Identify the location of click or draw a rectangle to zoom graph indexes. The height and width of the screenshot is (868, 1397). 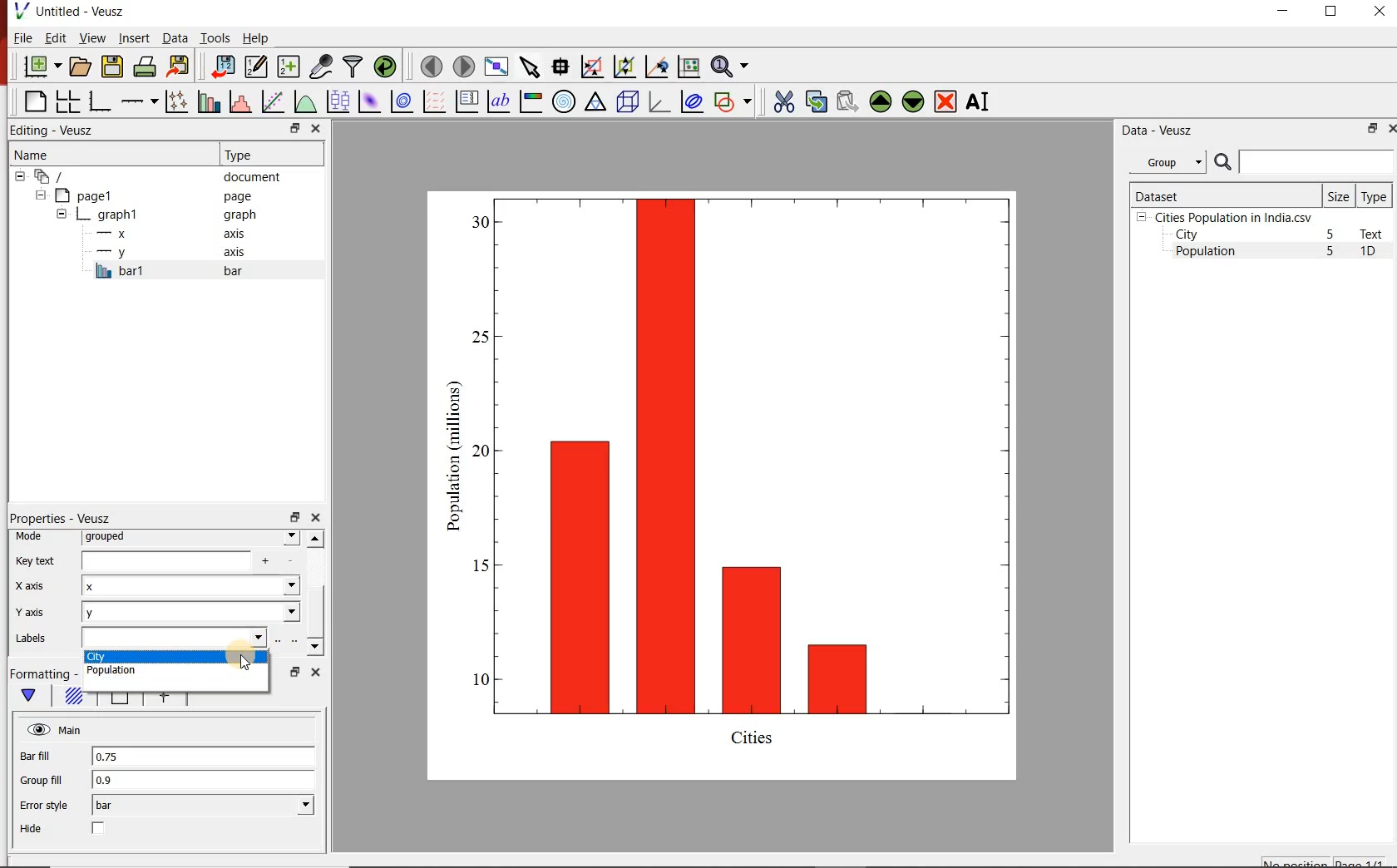
(590, 66).